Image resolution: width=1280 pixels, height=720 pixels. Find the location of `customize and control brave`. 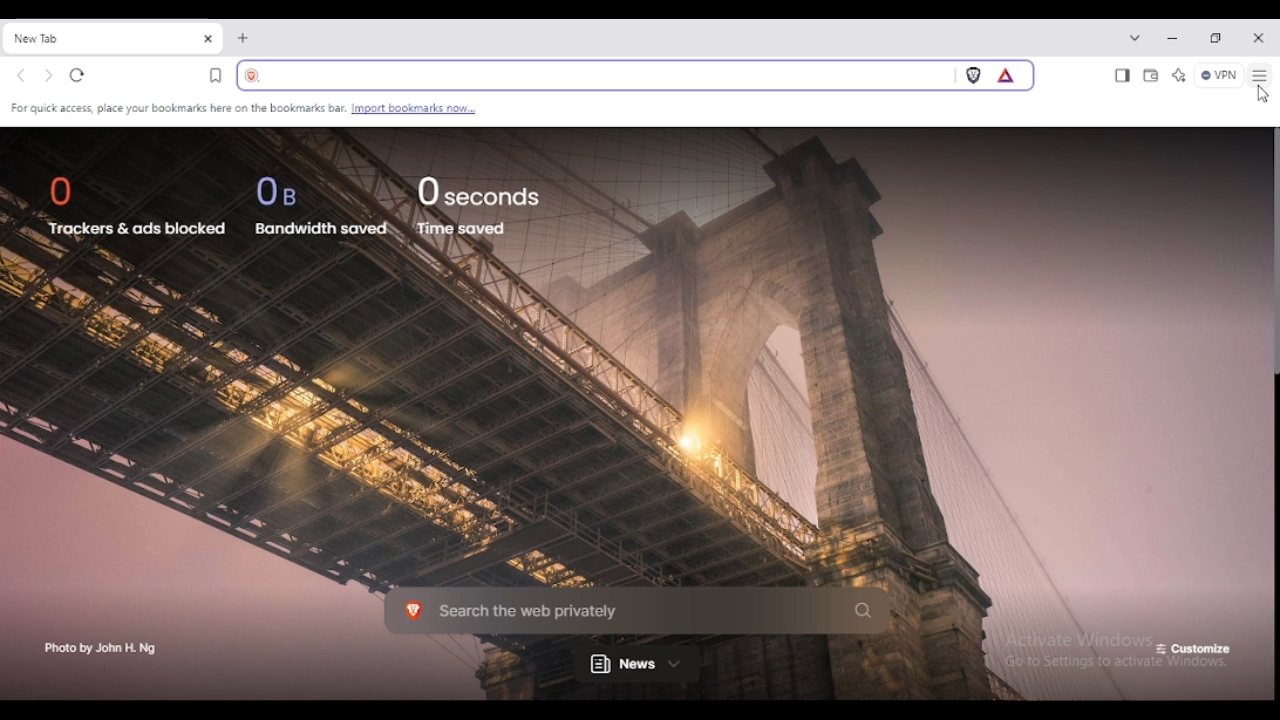

customize and control brave is located at coordinates (1261, 75).